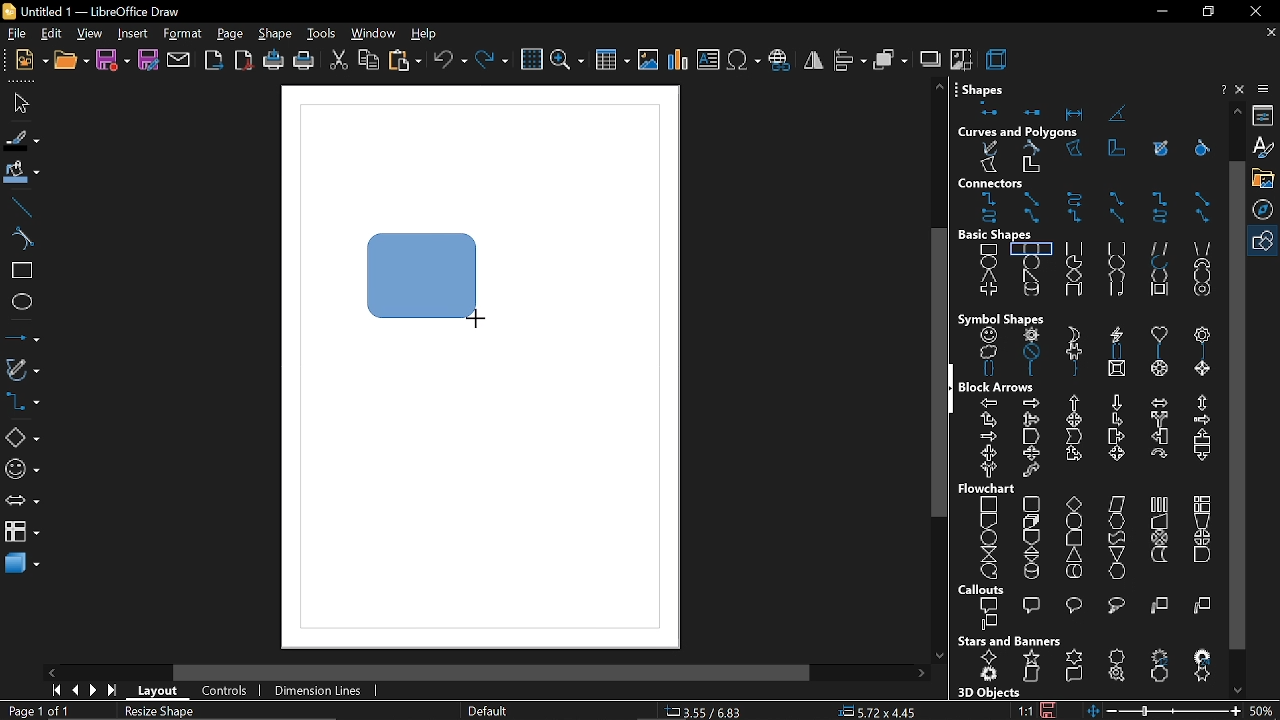 The height and width of the screenshot is (720, 1280). Describe the element at coordinates (1242, 89) in the screenshot. I see `close` at that location.